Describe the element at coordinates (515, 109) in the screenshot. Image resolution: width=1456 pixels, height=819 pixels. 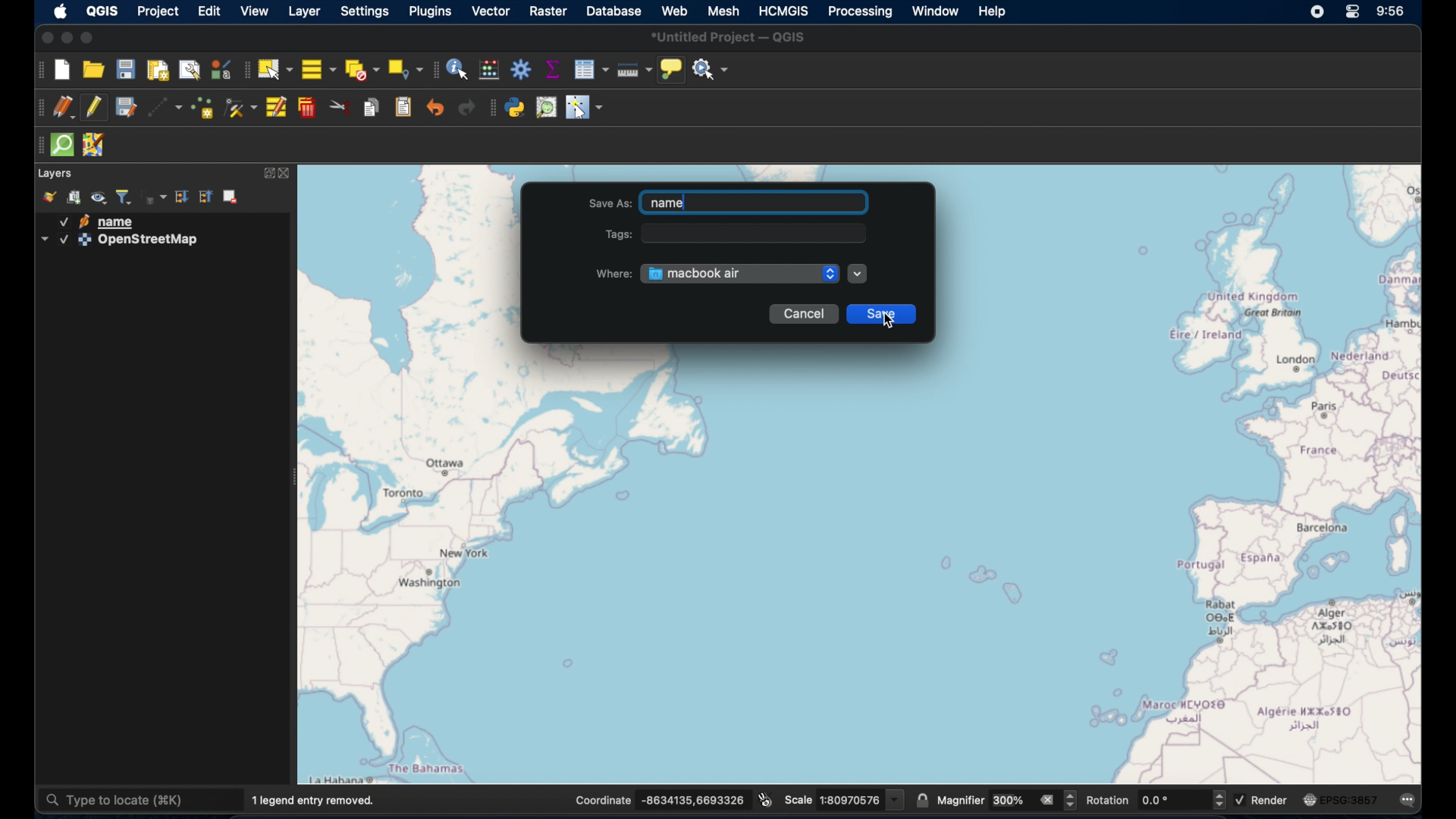
I see `python console` at that location.